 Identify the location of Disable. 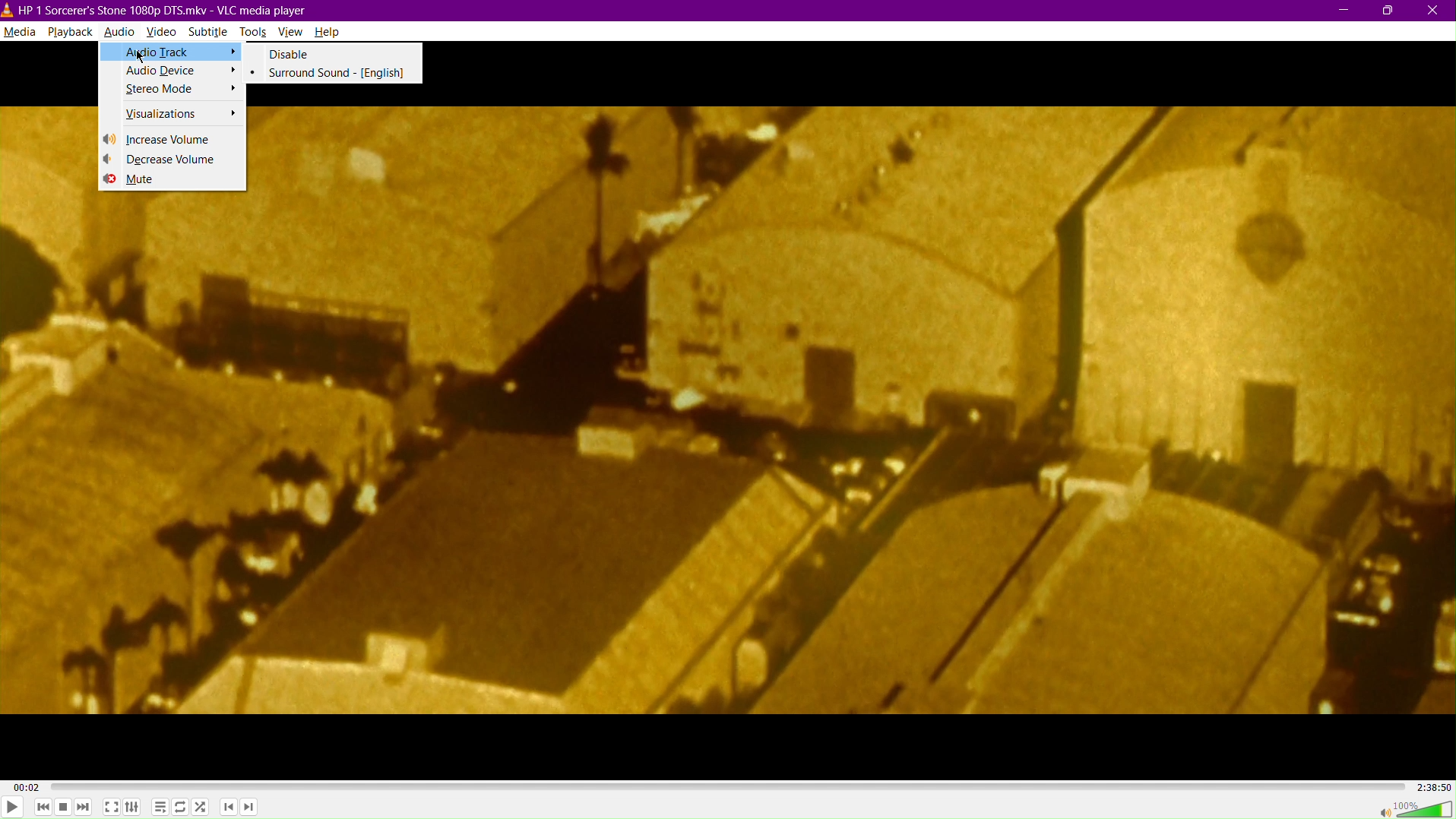
(336, 54).